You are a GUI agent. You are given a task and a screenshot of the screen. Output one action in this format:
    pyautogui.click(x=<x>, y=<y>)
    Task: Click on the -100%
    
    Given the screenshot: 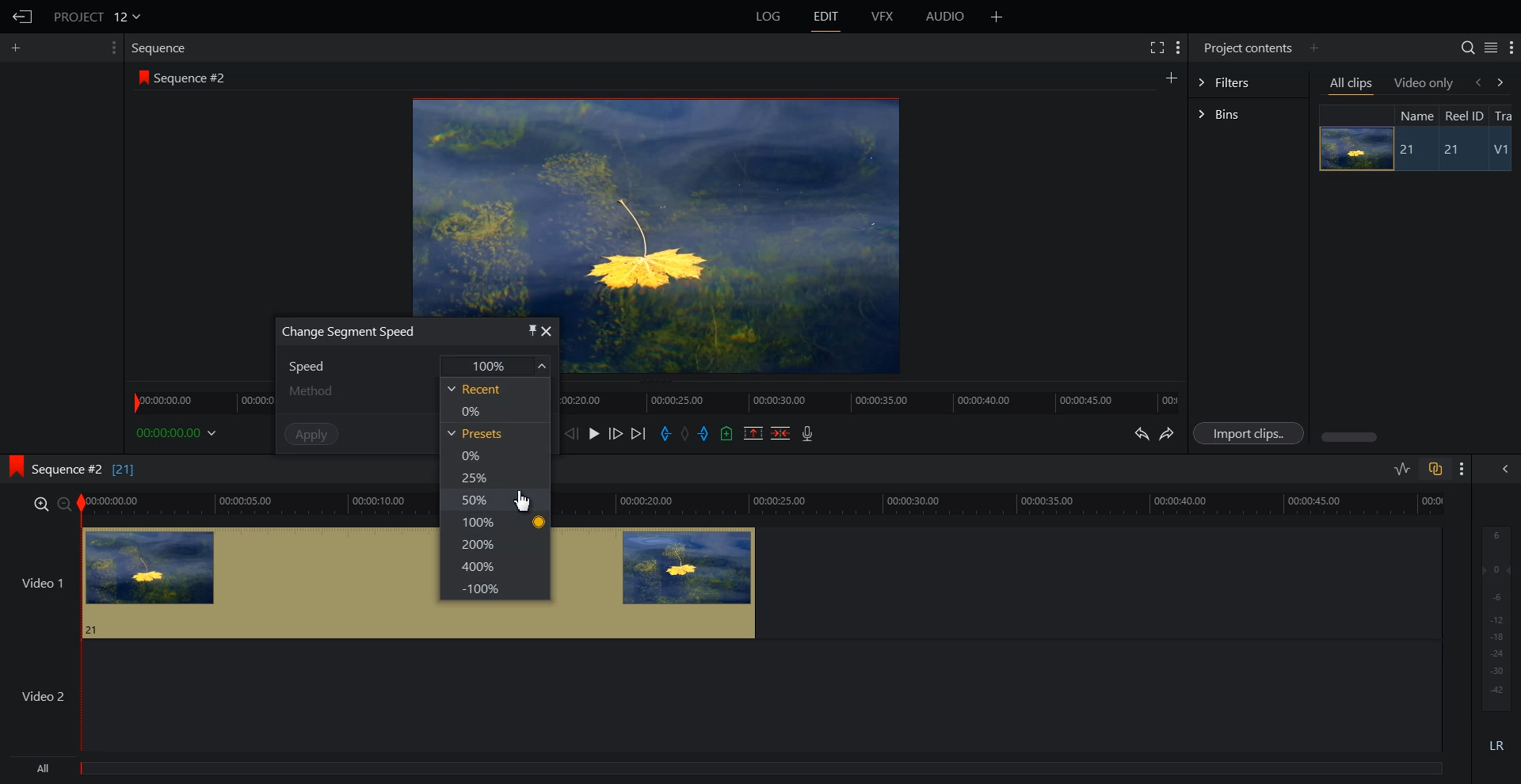 What is the action you would take?
    pyautogui.click(x=477, y=589)
    